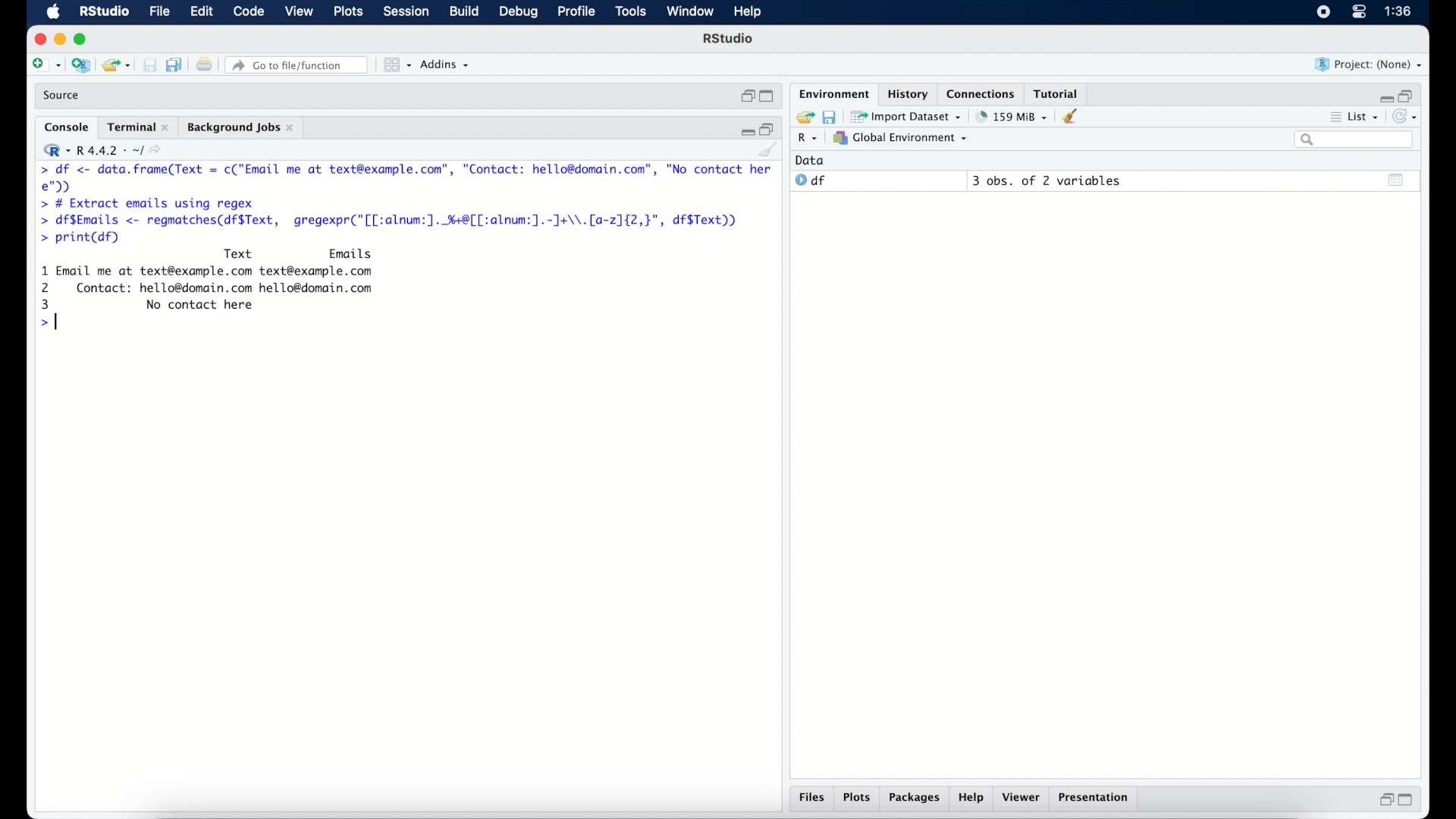 The height and width of the screenshot is (819, 1456). I want to click on file, so click(160, 12).